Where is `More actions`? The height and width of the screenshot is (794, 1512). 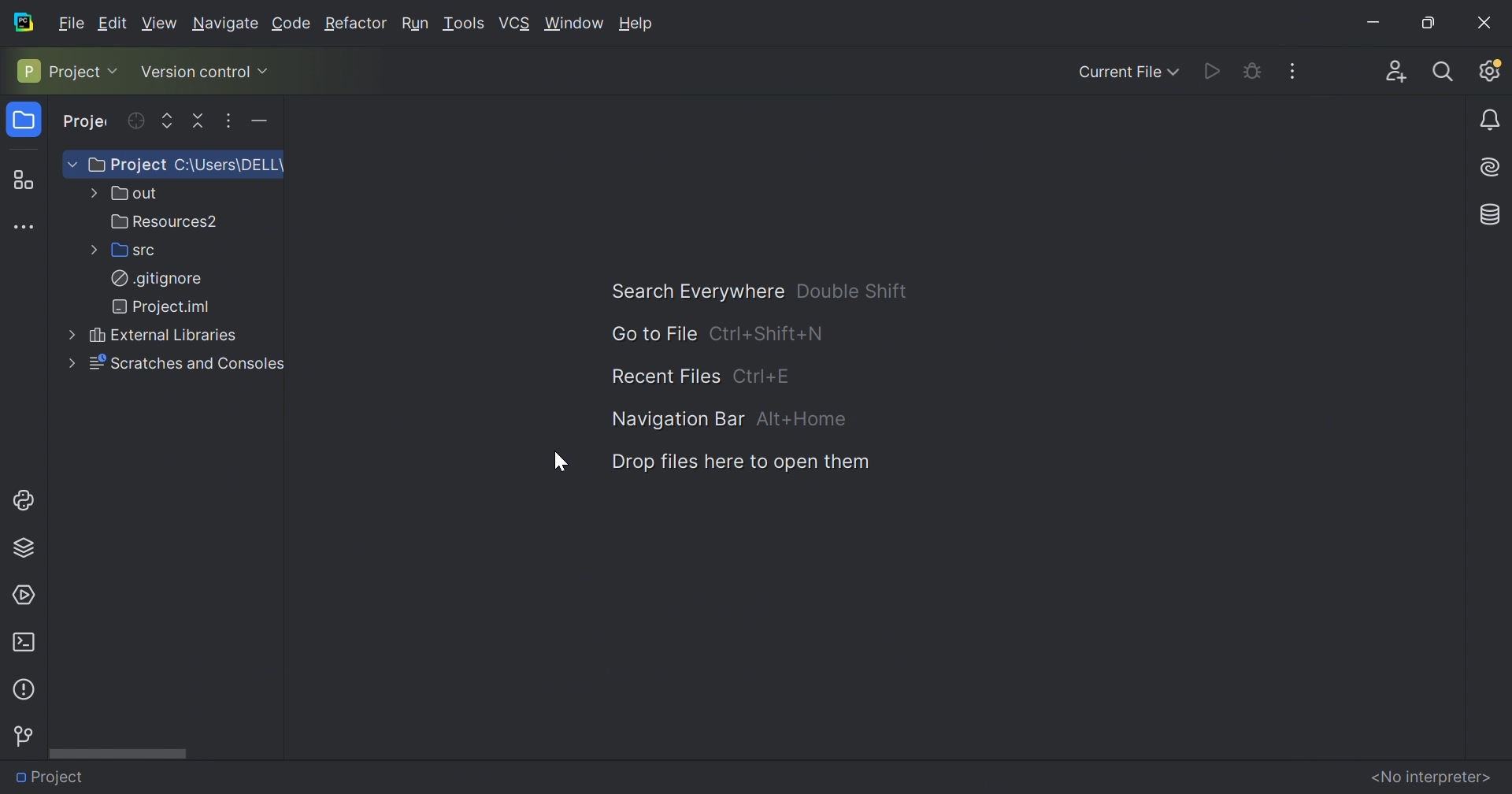
More actions is located at coordinates (1300, 70).